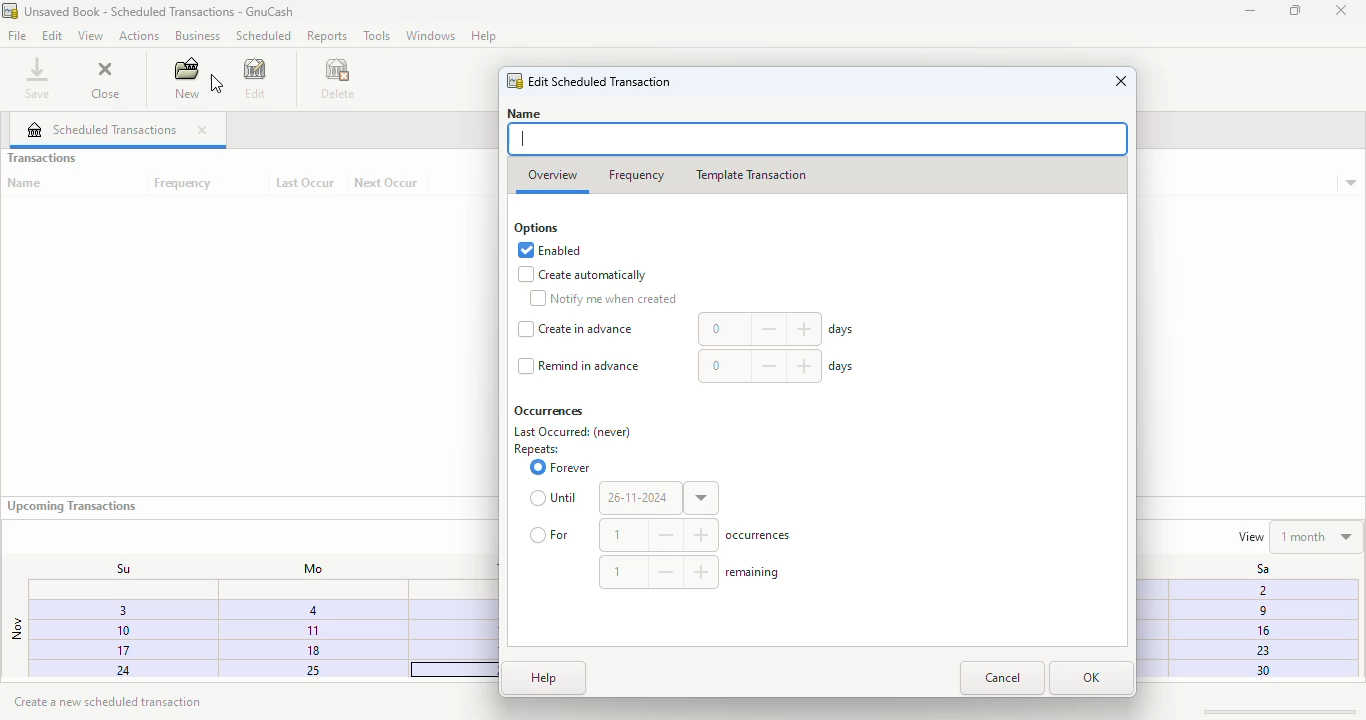  What do you see at coordinates (16, 629) in the screenshot?
I see `nov` at bounding box center [16, 629].